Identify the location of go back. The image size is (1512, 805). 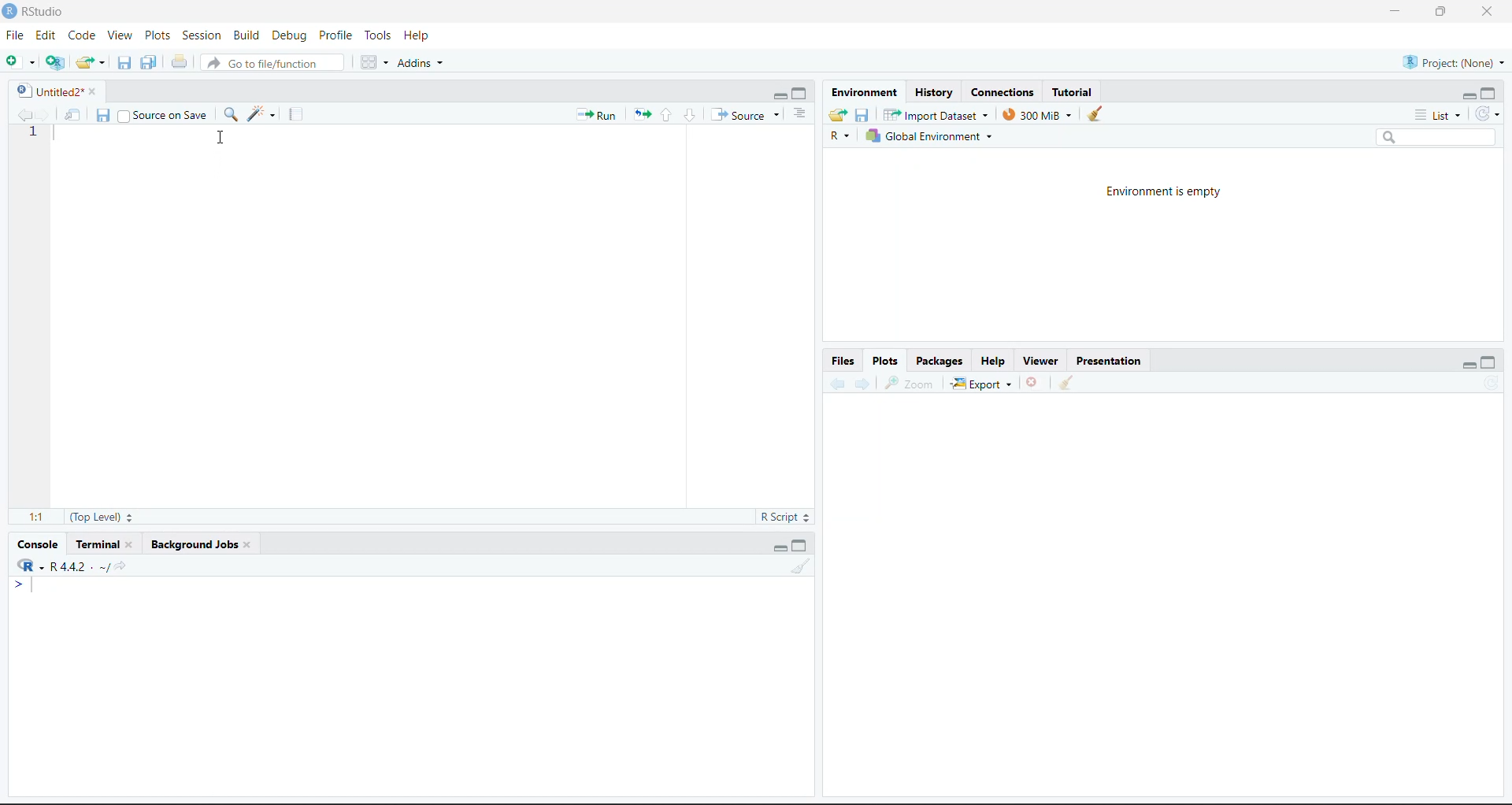
(833, 385).